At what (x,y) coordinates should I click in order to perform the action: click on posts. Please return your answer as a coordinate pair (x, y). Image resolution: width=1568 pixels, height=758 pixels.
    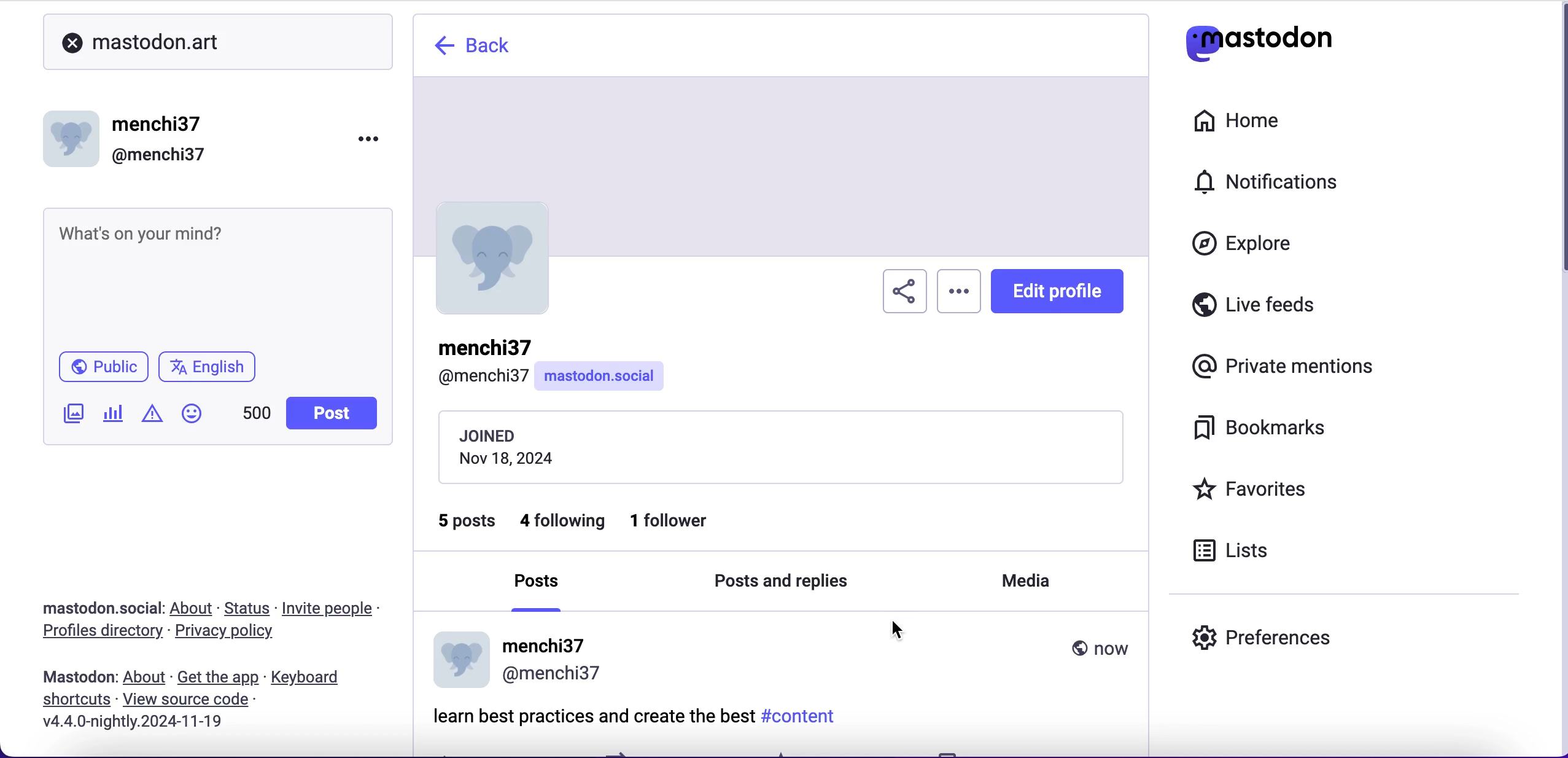
    Looking at the image, I should click on (537, 584).